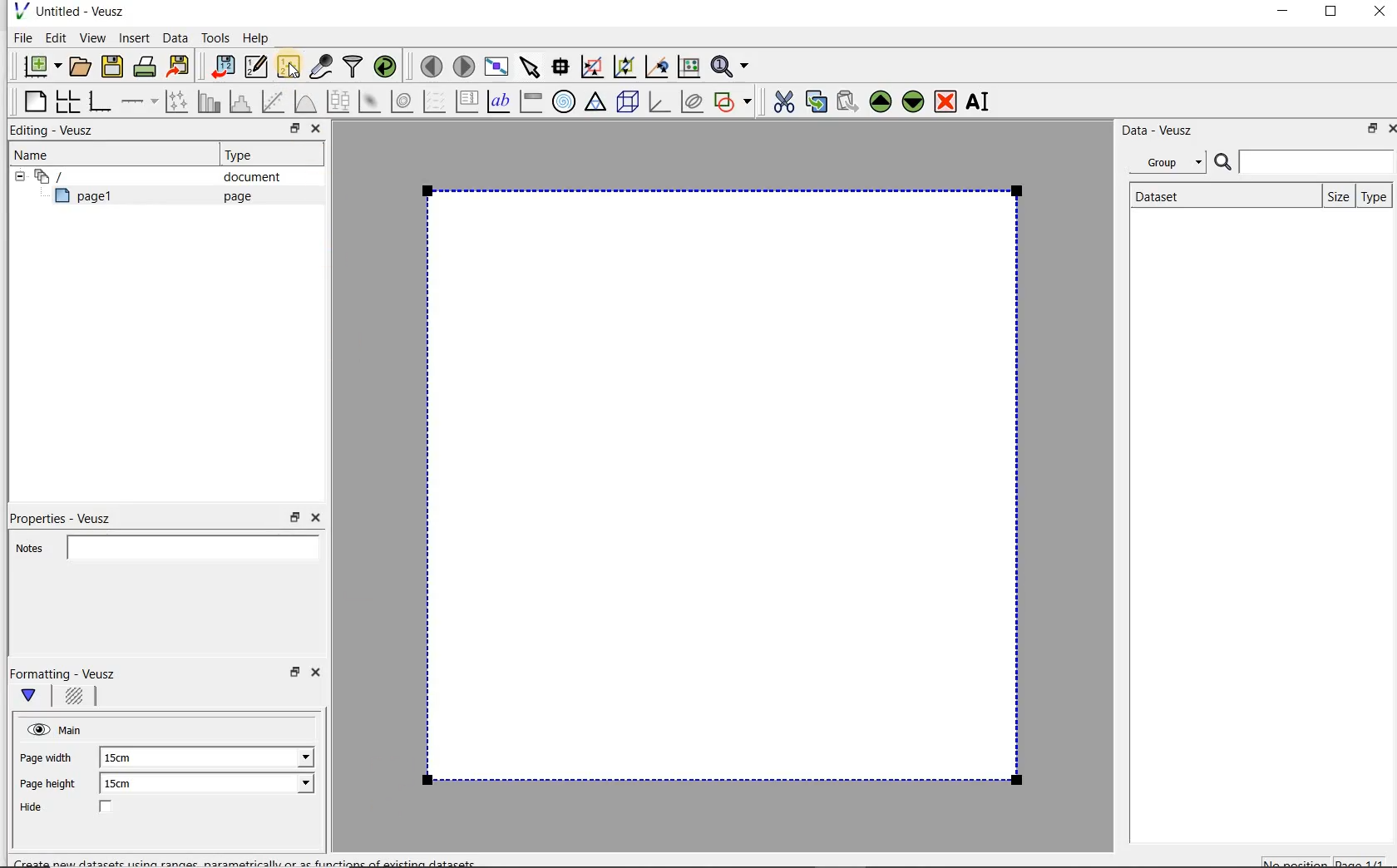 The height and width of the screenshot is (868, 1397). Describe the element at coordinates (881, 101) in the screenshot. I see `Move the selected widget up` at that location.